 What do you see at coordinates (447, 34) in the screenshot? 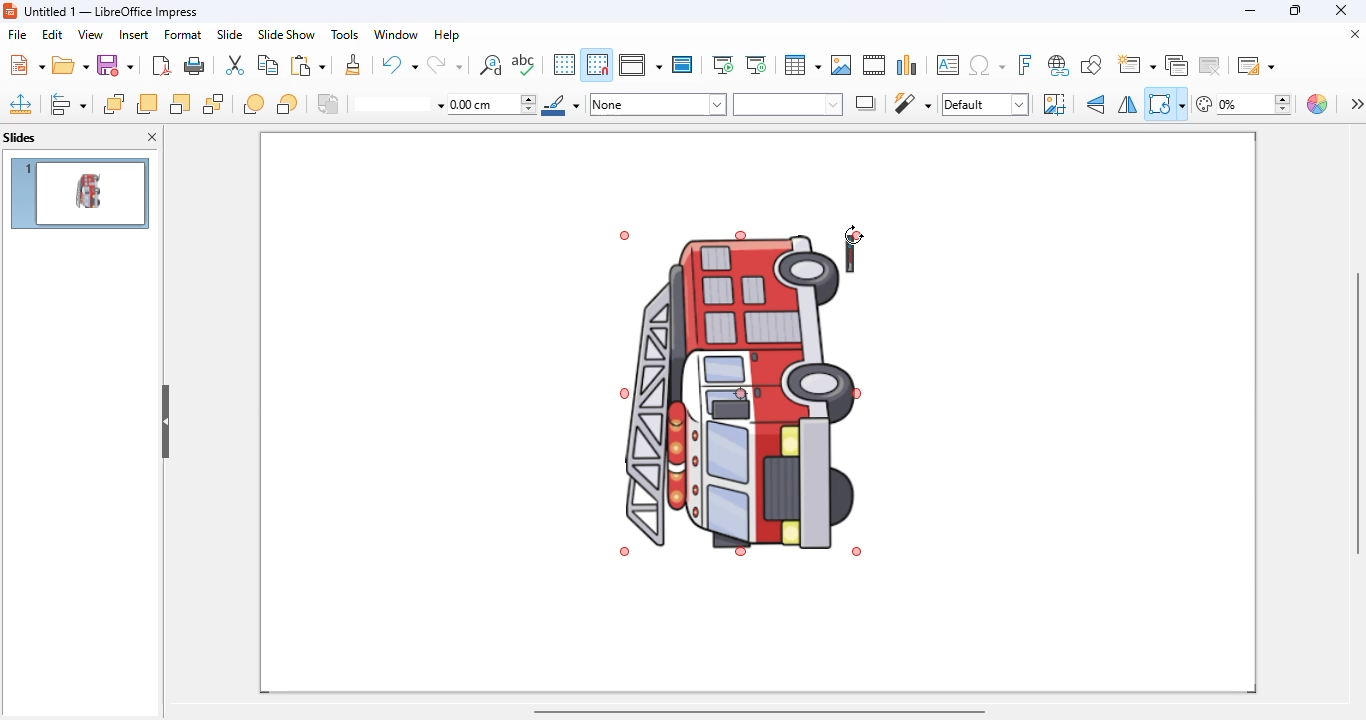
I see `help` at bounding box center [447, 34].